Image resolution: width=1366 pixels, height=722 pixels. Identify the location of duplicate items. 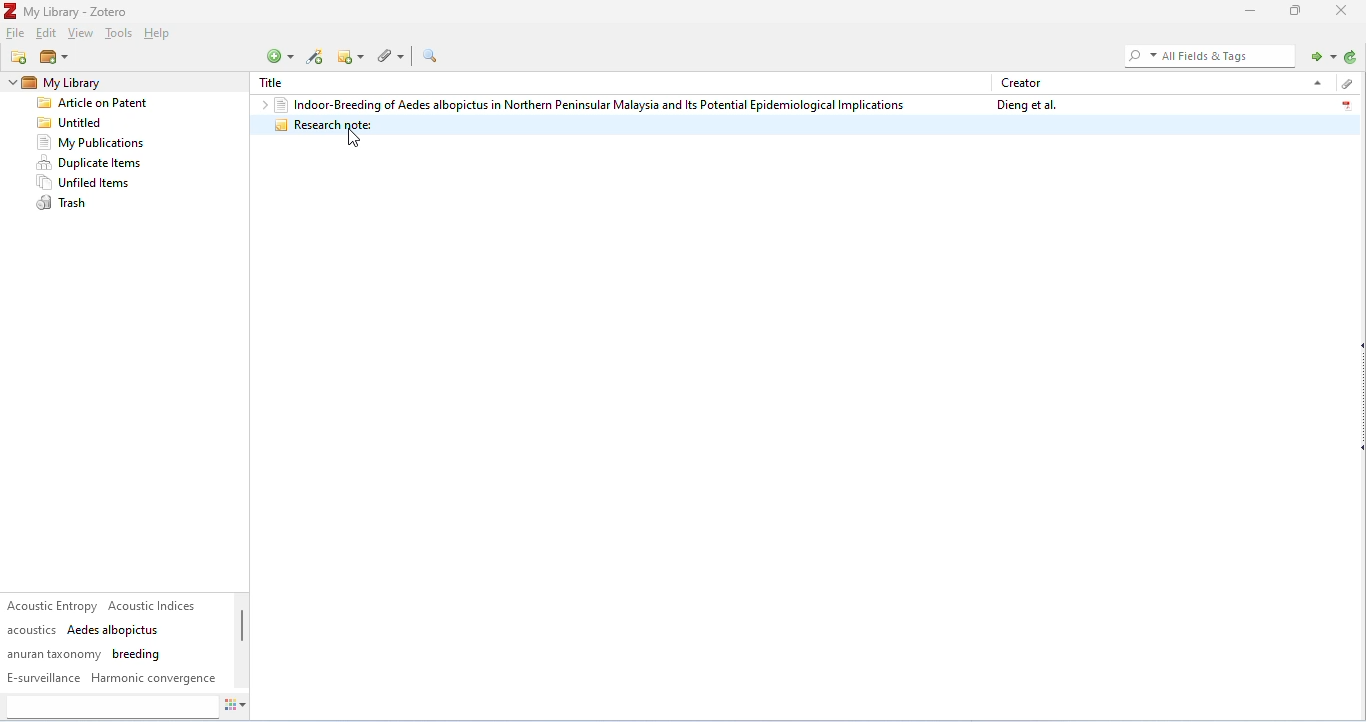
(91, 163).